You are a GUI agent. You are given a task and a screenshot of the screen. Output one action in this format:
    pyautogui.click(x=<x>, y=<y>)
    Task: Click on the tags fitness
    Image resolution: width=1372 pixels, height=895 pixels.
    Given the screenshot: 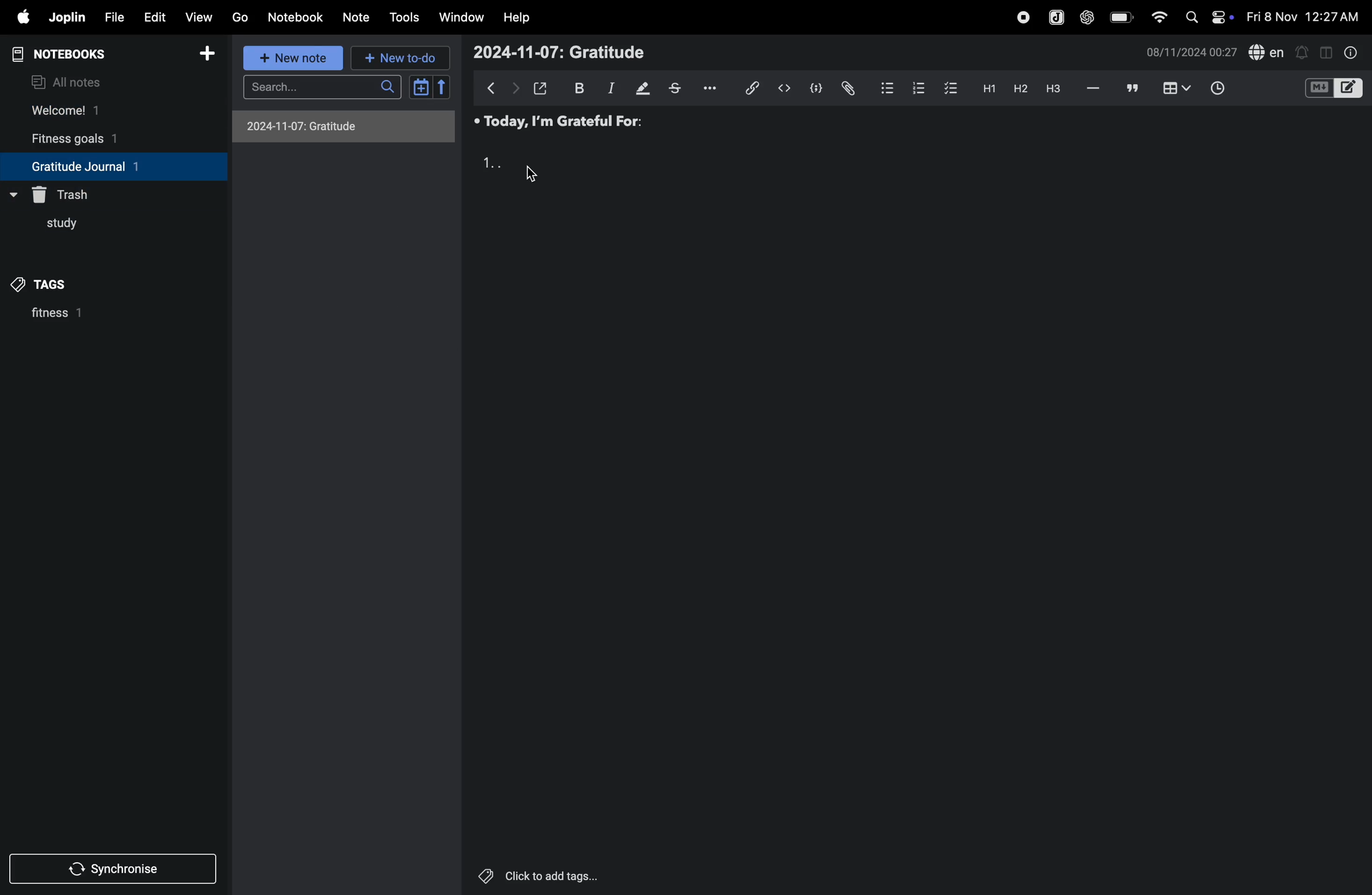 What is the action you would take?
    pyautogui.click(x=49, y=284)
    